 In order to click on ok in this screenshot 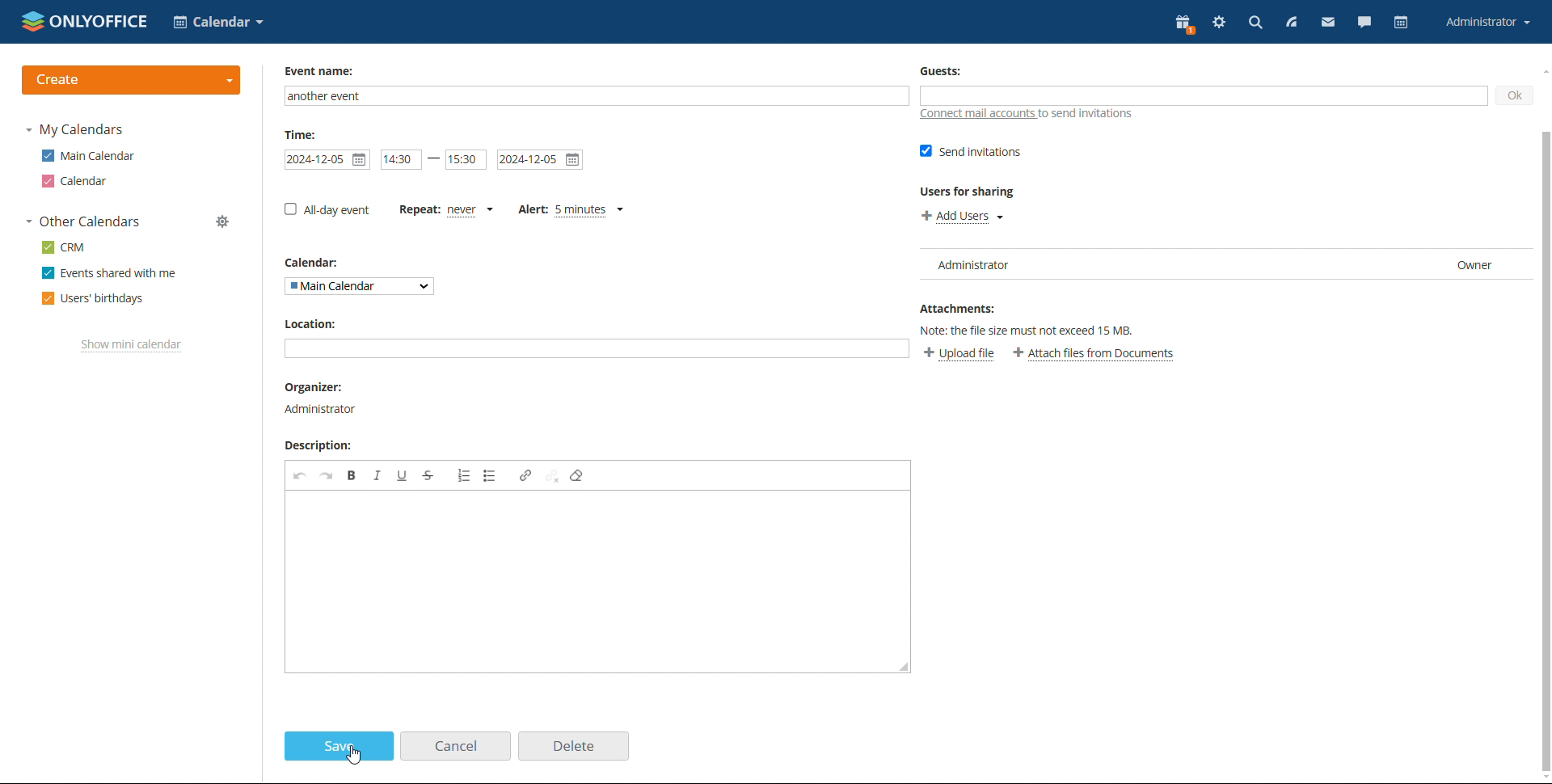, I will do `click(1514, 96)`.